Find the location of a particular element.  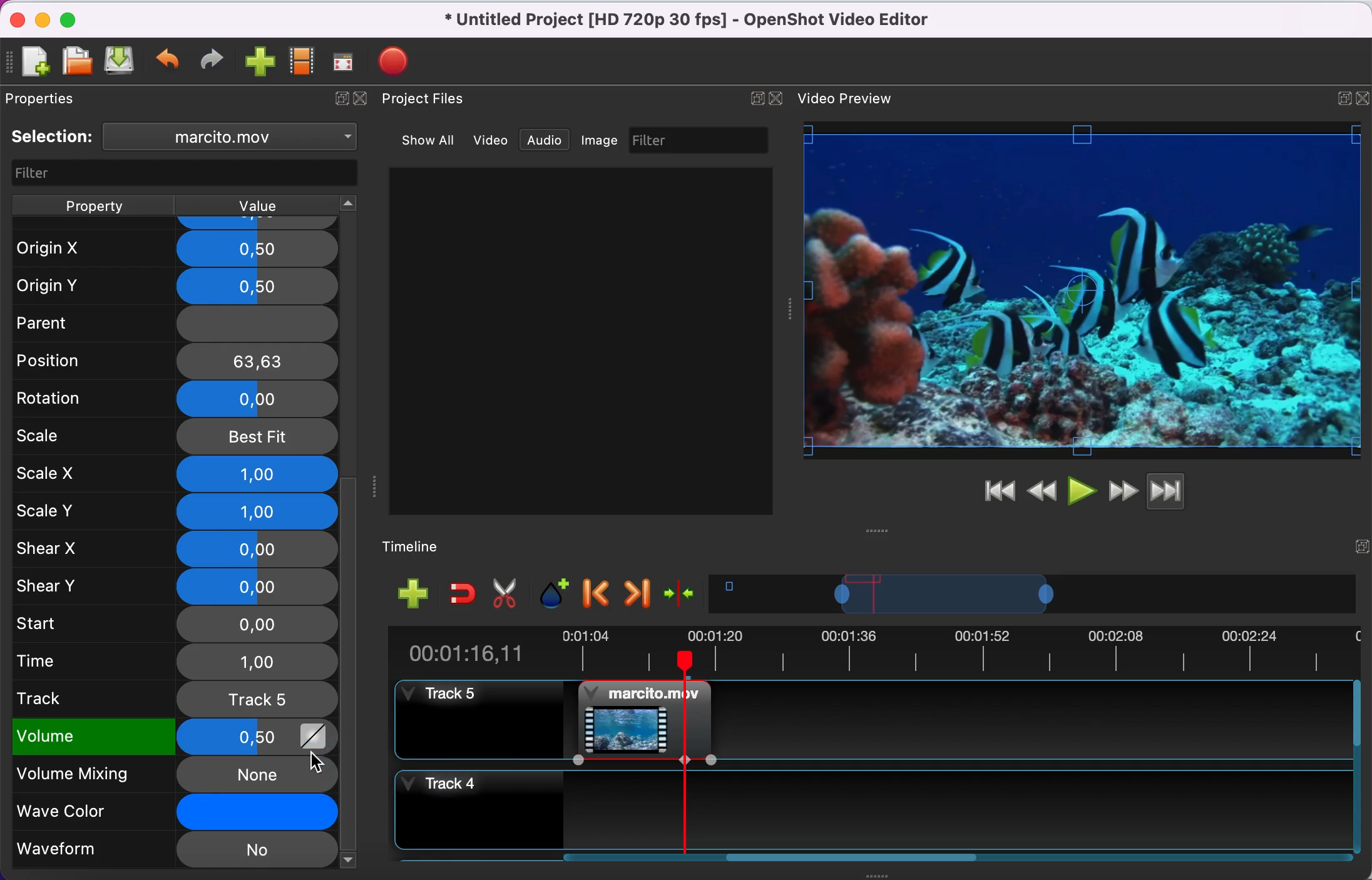

shear y 0 is located at coordinates (176, 586).